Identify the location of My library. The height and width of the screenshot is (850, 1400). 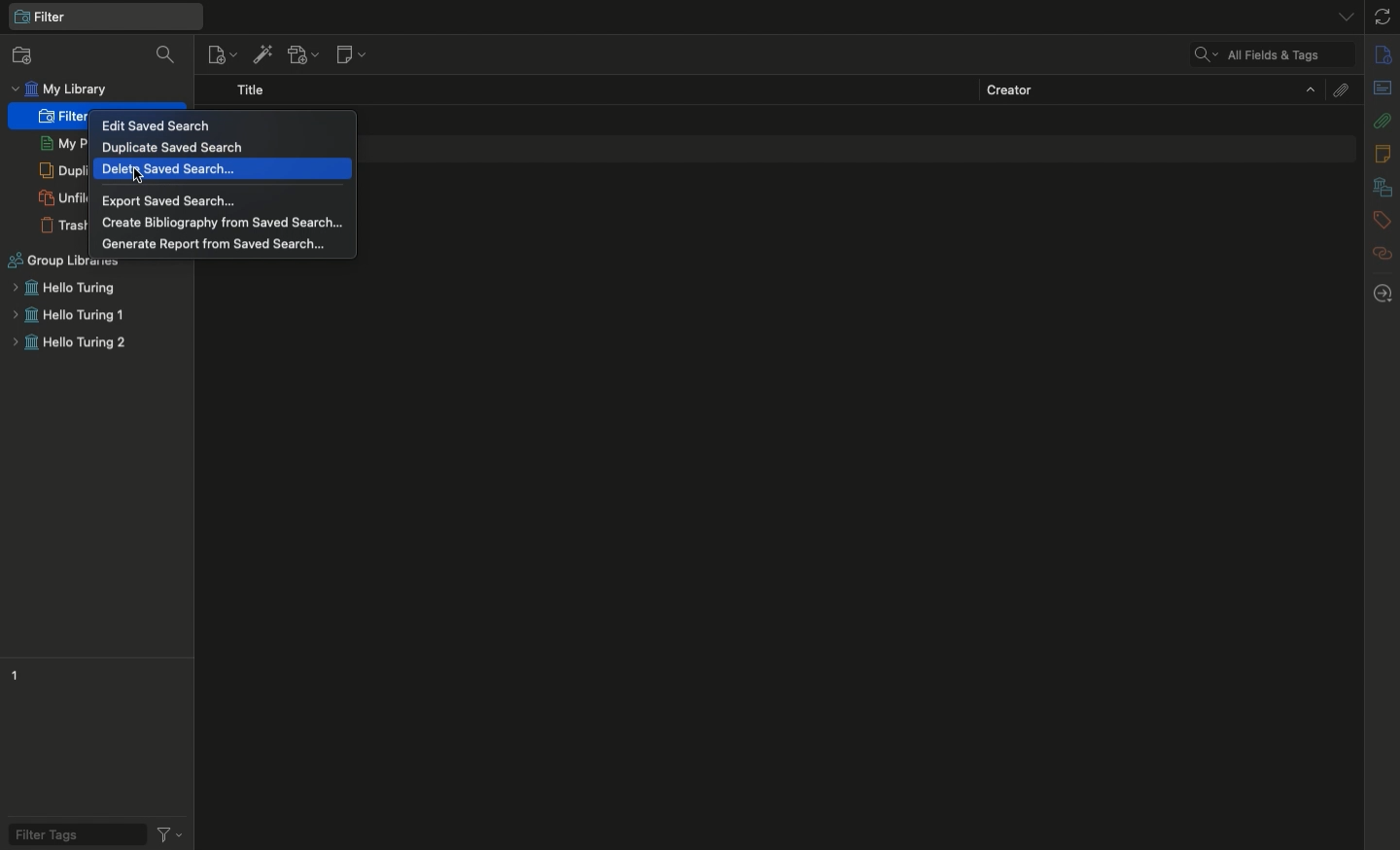
(104, 17).